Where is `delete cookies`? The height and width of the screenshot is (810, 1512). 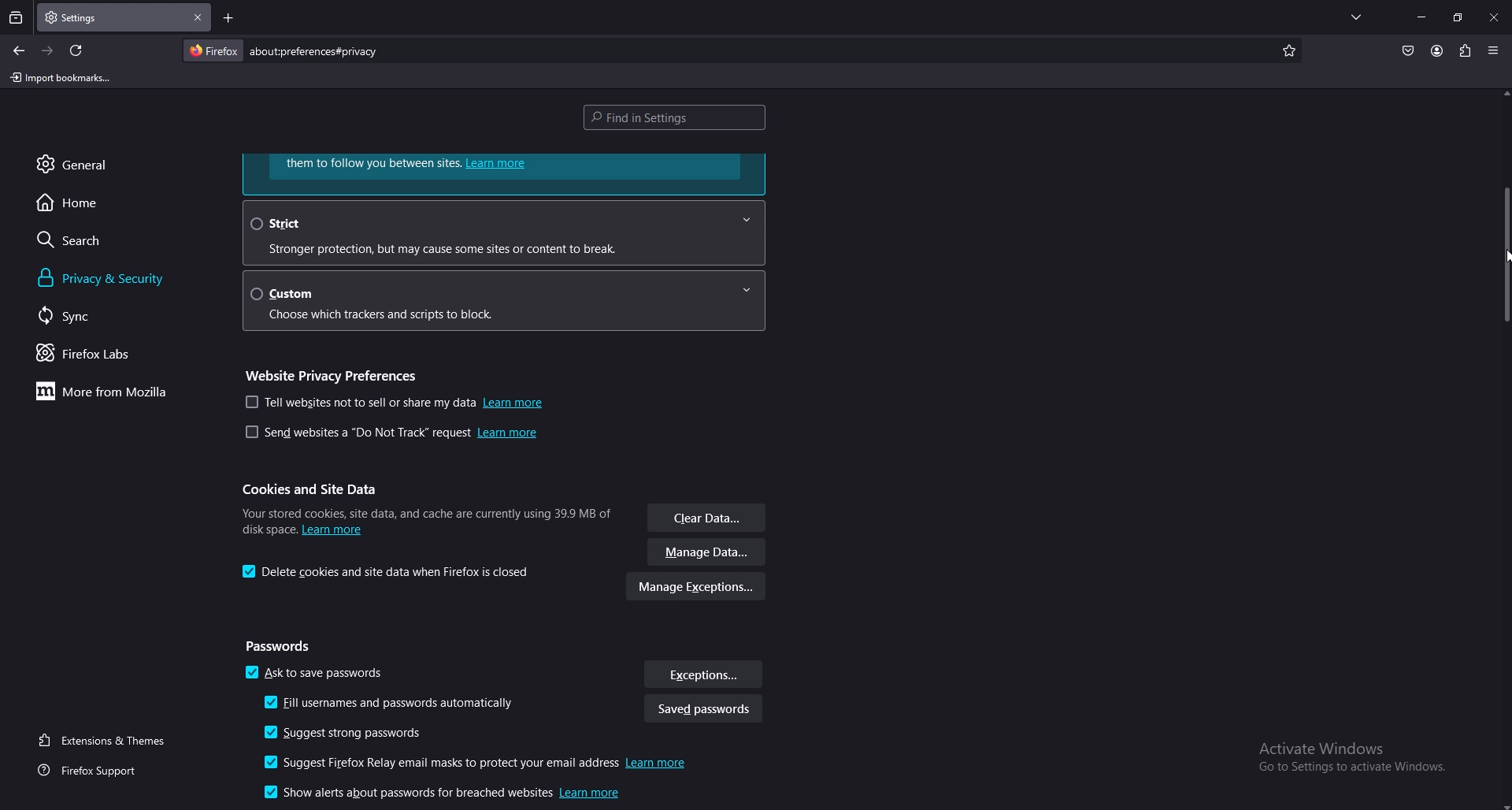 delete cookies is located at coordinates (390, 572).